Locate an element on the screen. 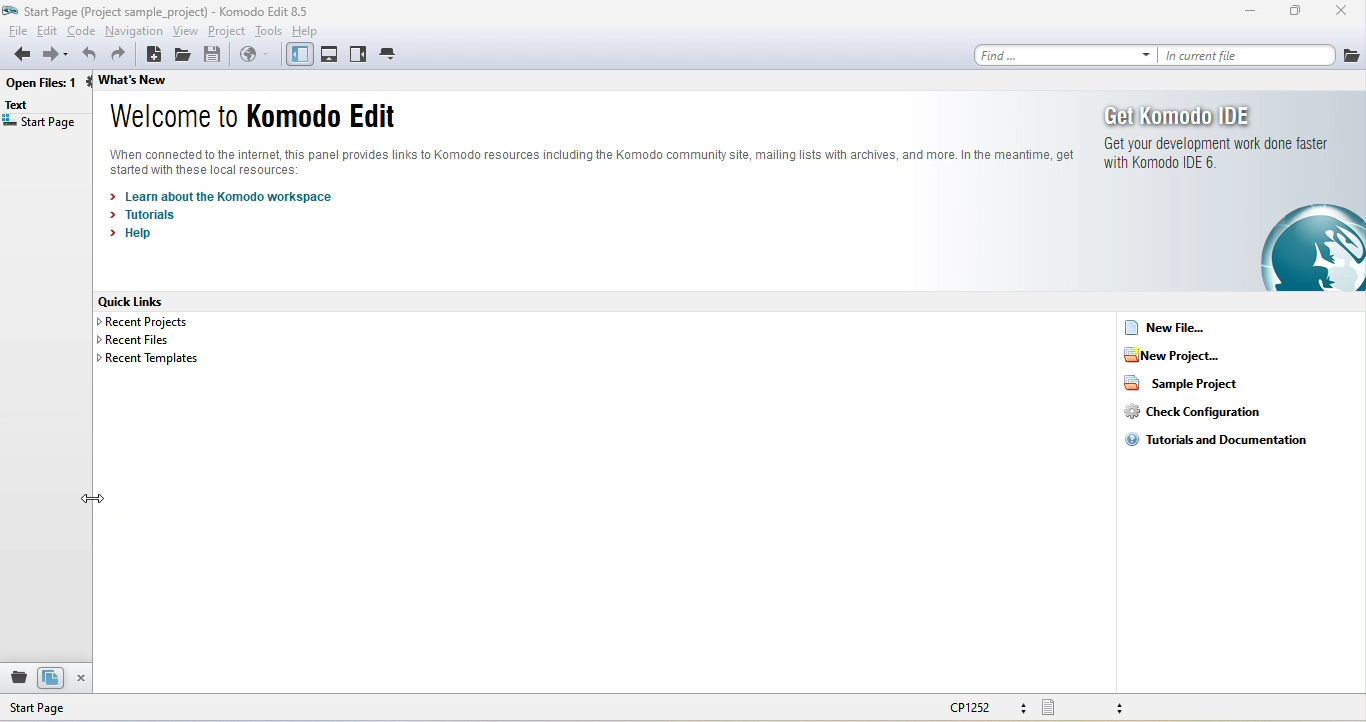 This screenshot has height=722, width=1366. find is located at coordinates (1059, 54).